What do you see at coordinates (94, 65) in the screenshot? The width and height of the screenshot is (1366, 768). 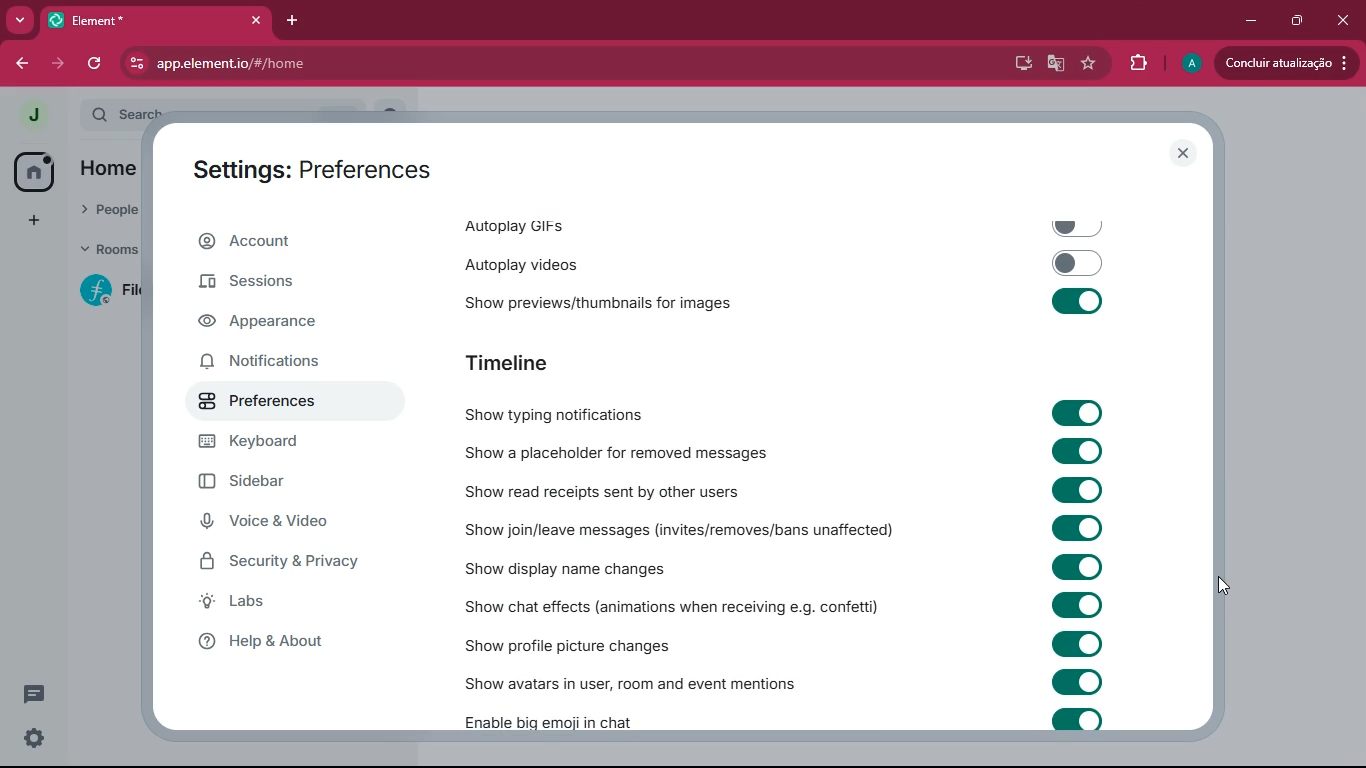 I see `refresh` at bounding box center [94, 65].